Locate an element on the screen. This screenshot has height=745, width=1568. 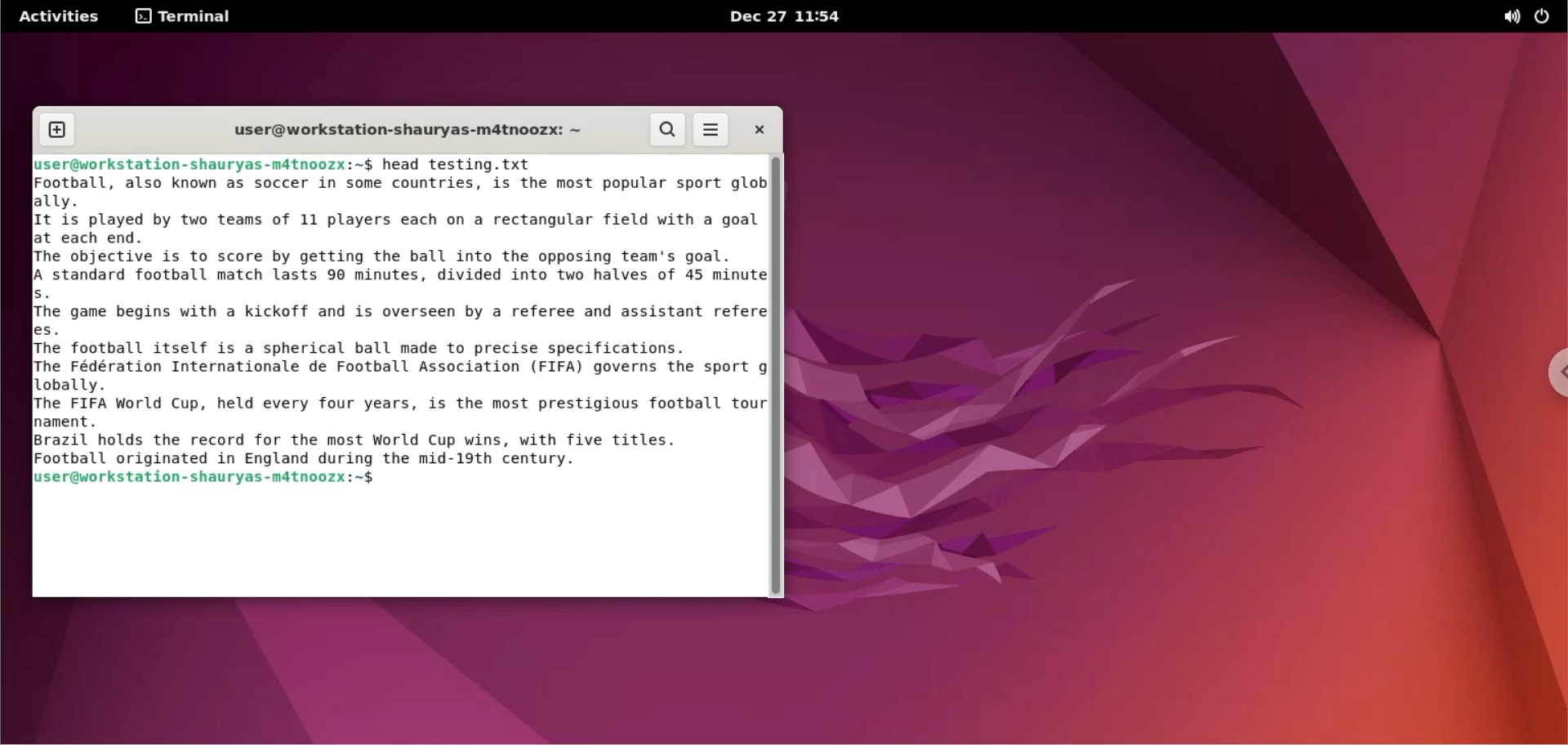
head testing.txt : command to view top 10 lines is located at coordinates (462, 167).